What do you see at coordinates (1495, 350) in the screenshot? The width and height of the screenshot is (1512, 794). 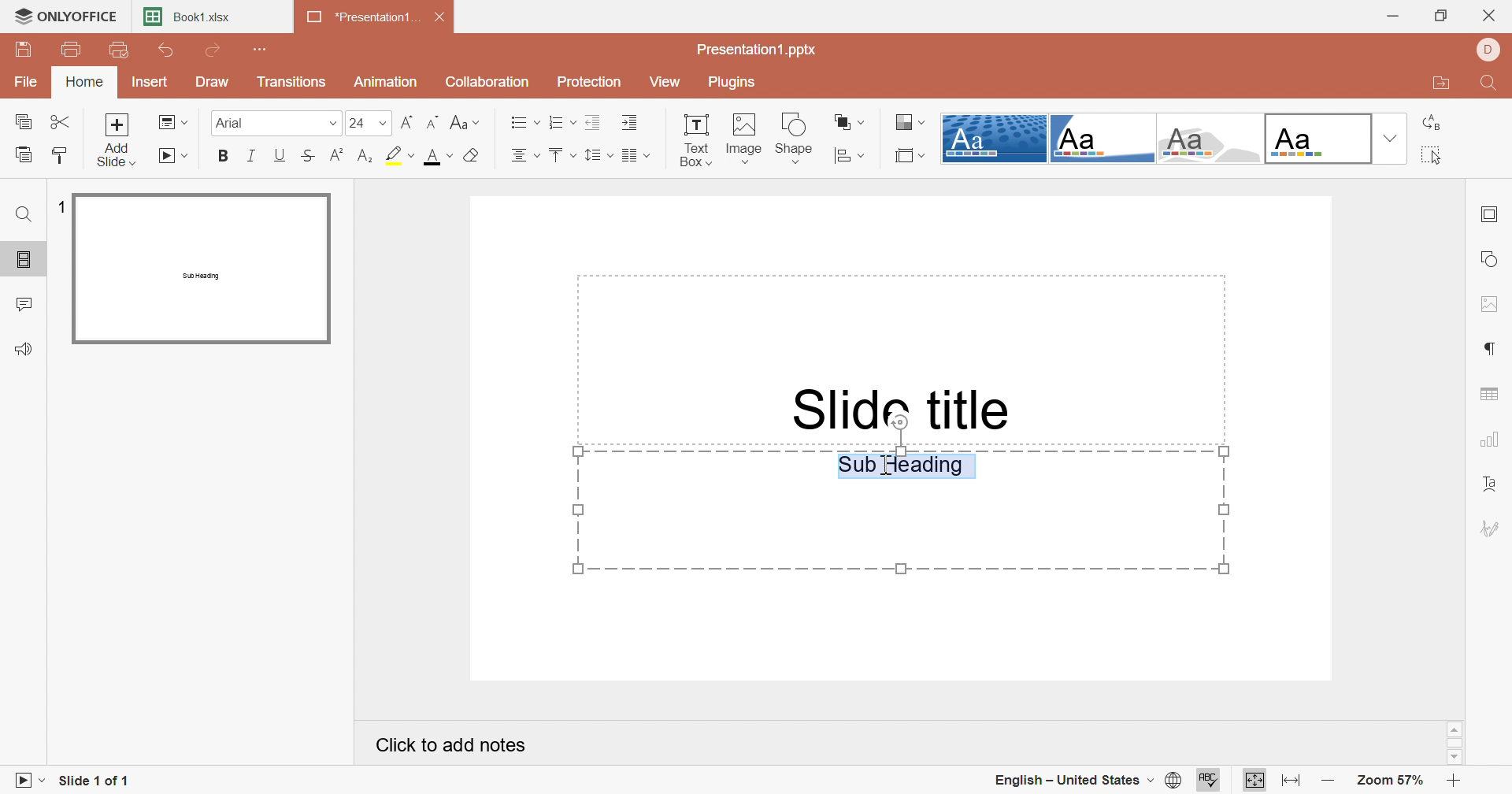 I see `Paragraph settings` at bounding box center [1495, 350].